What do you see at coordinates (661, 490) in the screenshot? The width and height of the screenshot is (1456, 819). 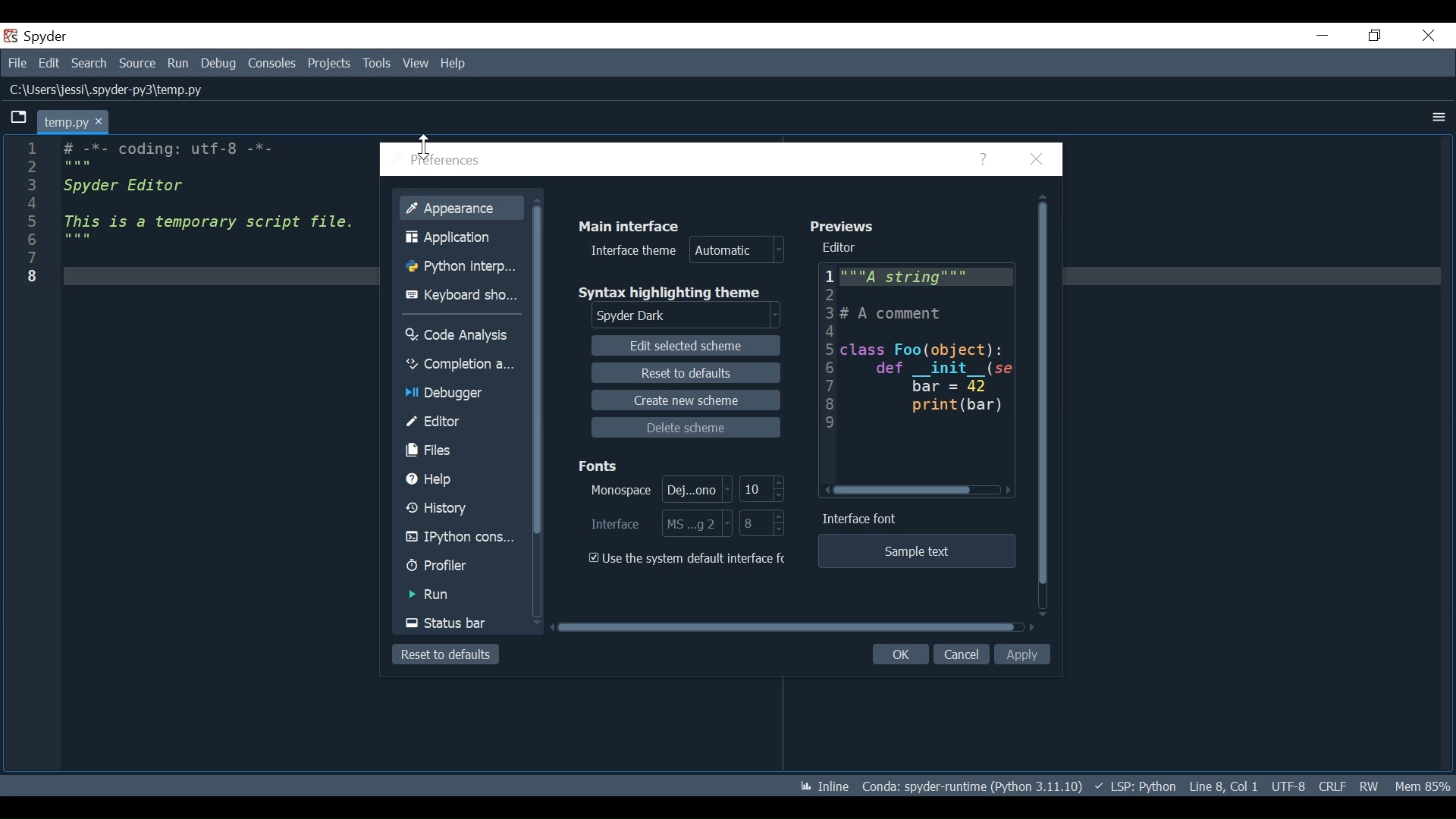 I see `Select Monospace Font Size` at bounding box center [661, 490].